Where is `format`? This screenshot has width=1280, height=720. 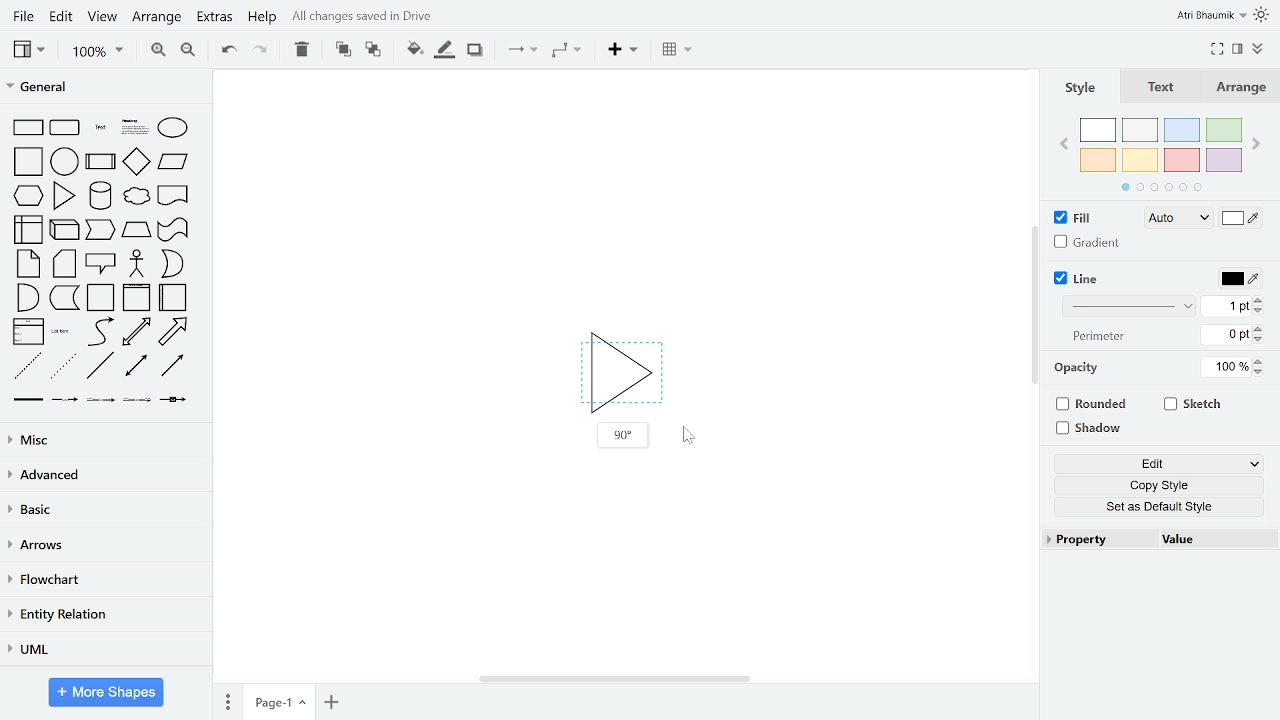
format is located at coordinates (1237, 48).